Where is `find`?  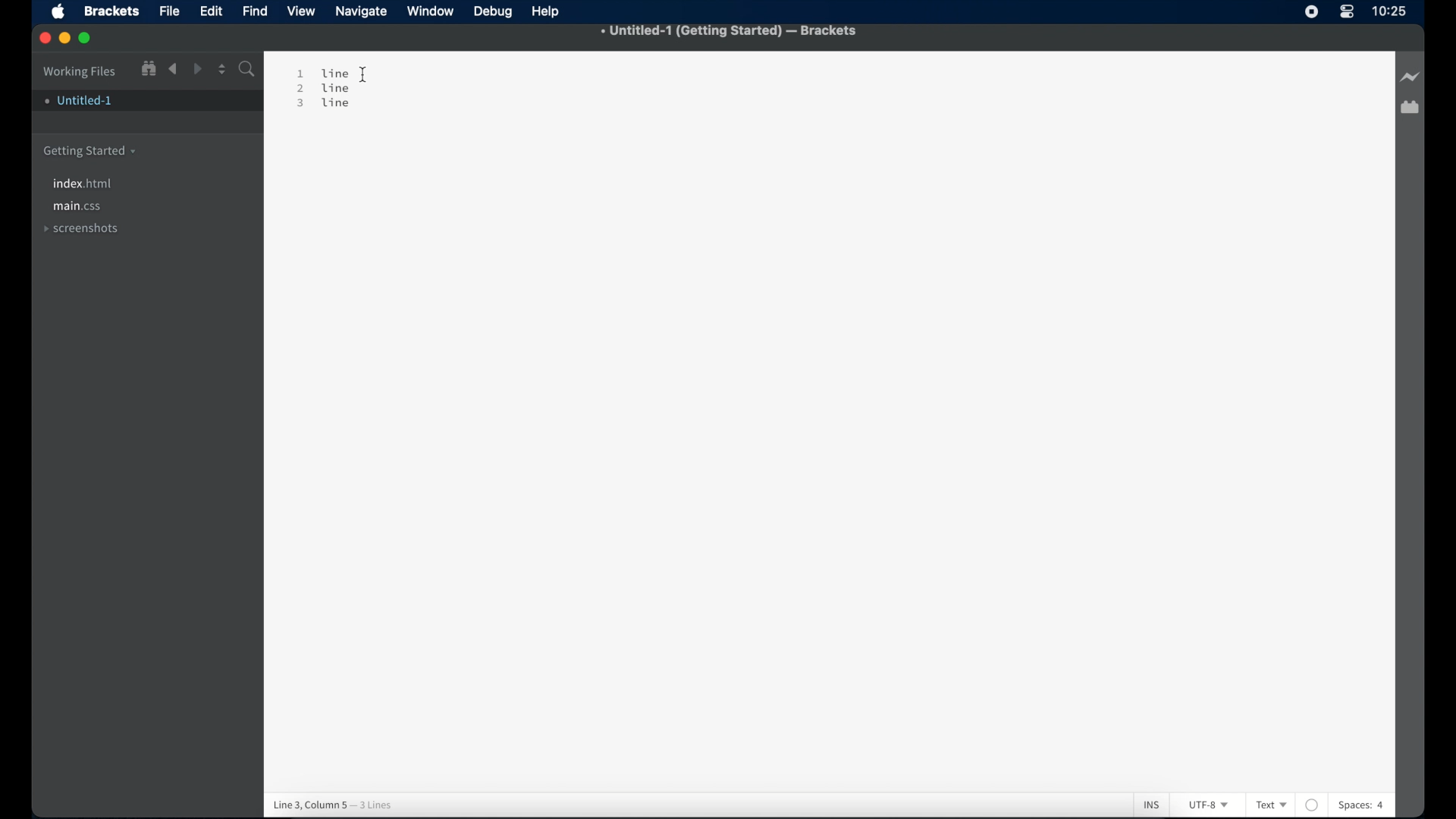
find is located at coordinates (256, 11).